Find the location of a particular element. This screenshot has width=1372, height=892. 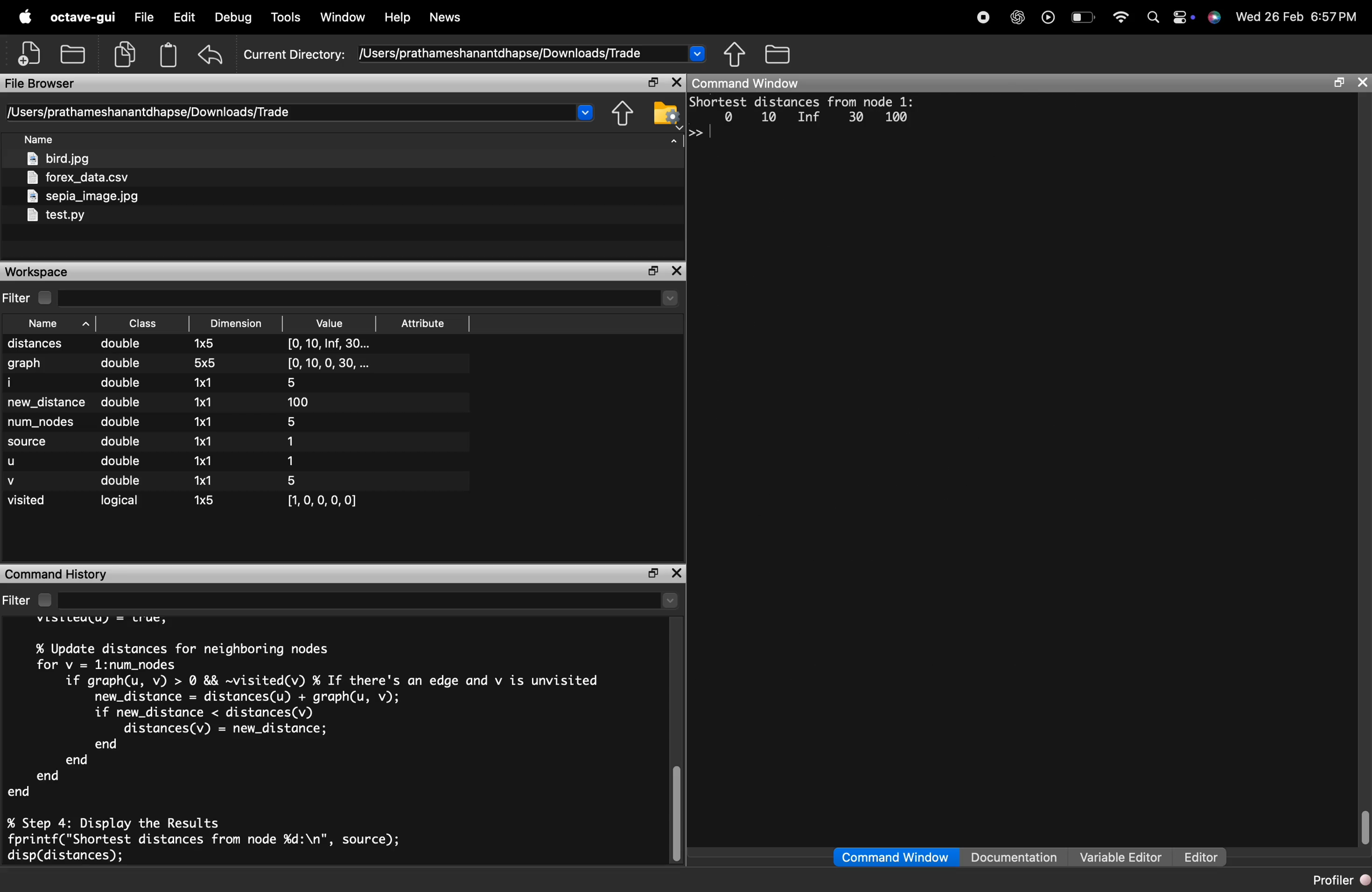

chatgpt is located at coordinates (1019, 17).